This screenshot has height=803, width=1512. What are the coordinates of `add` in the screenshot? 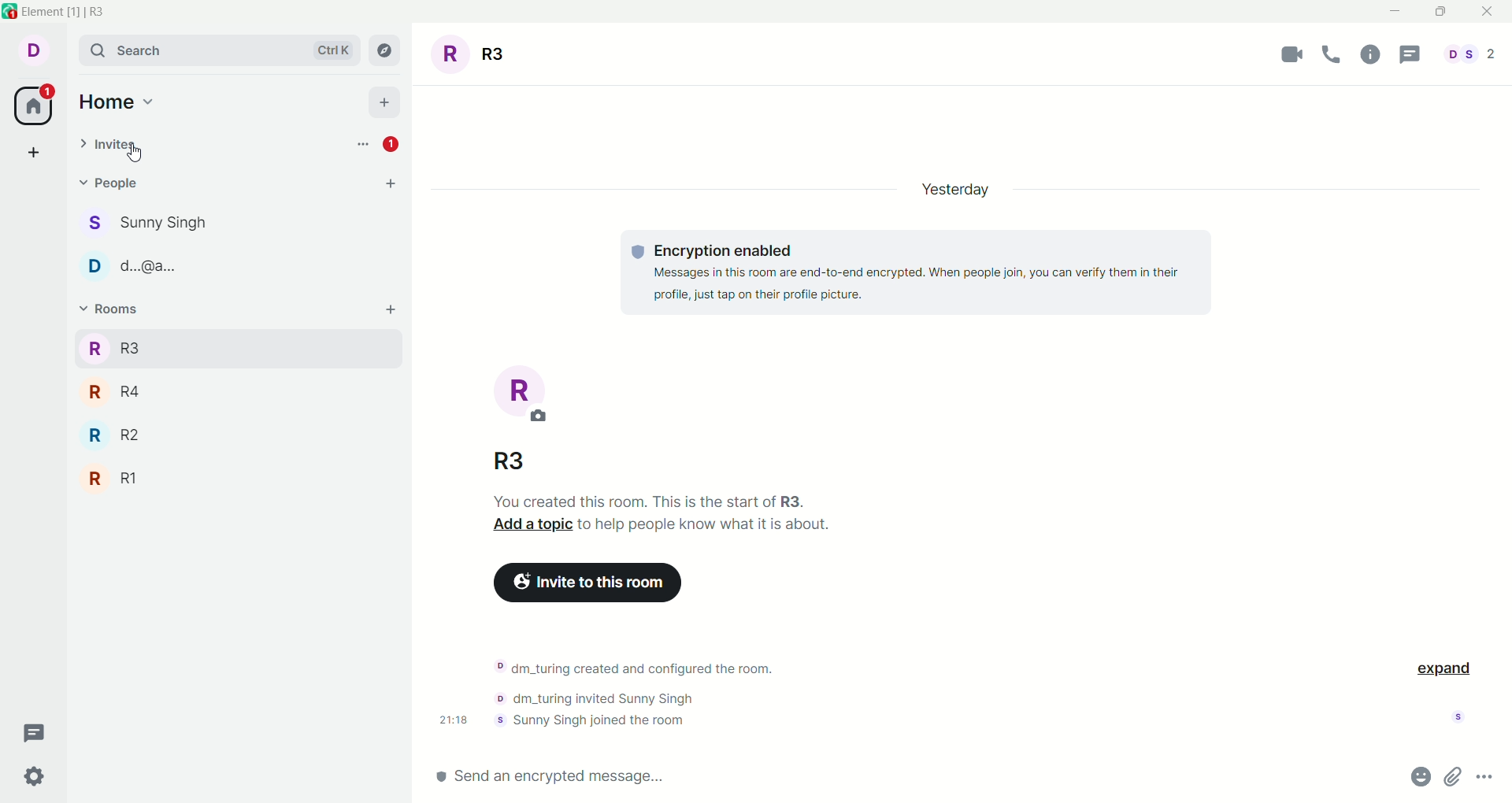 It's located at (389, 309).